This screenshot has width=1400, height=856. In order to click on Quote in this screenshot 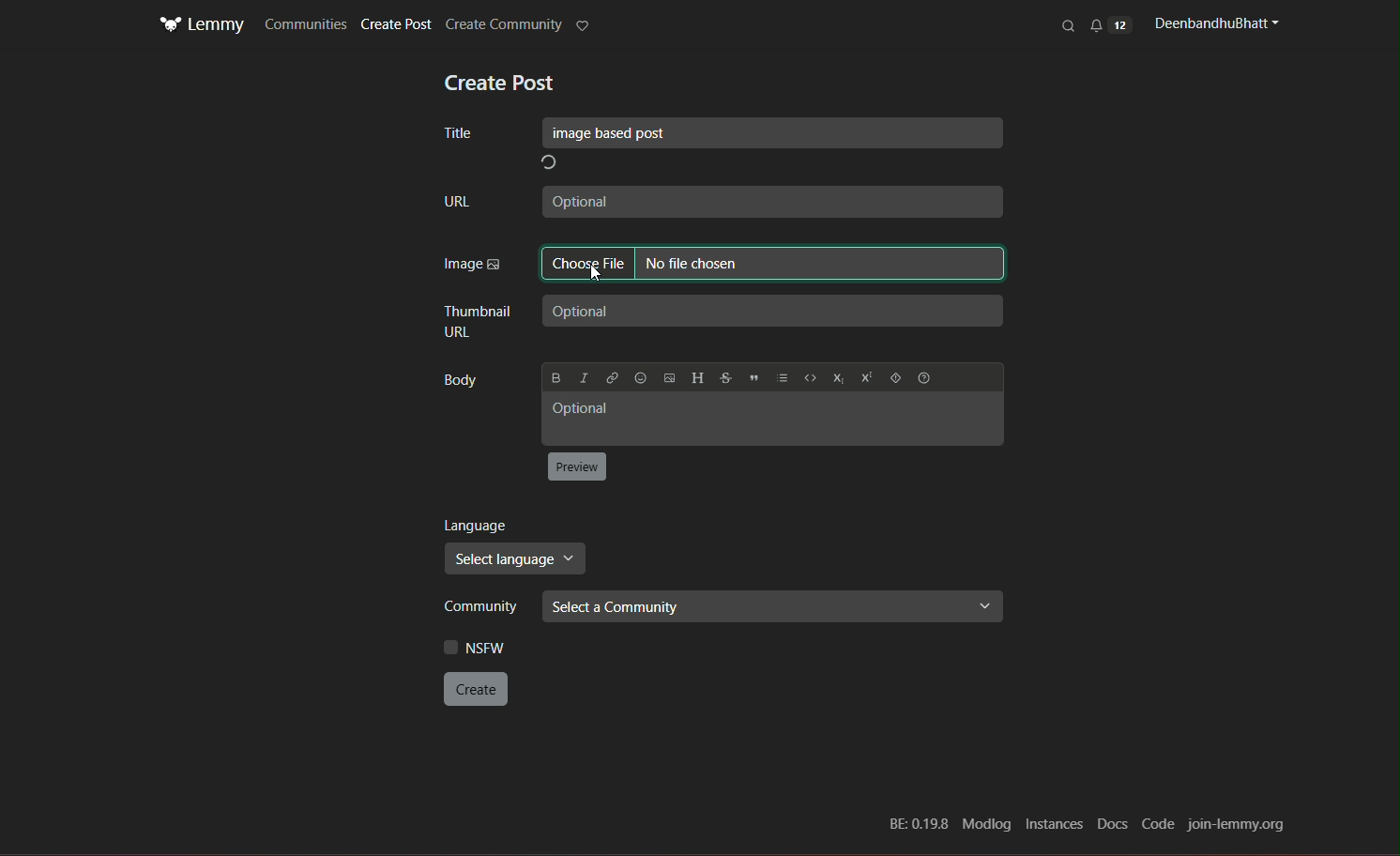, I will do `click(755, 373)`.